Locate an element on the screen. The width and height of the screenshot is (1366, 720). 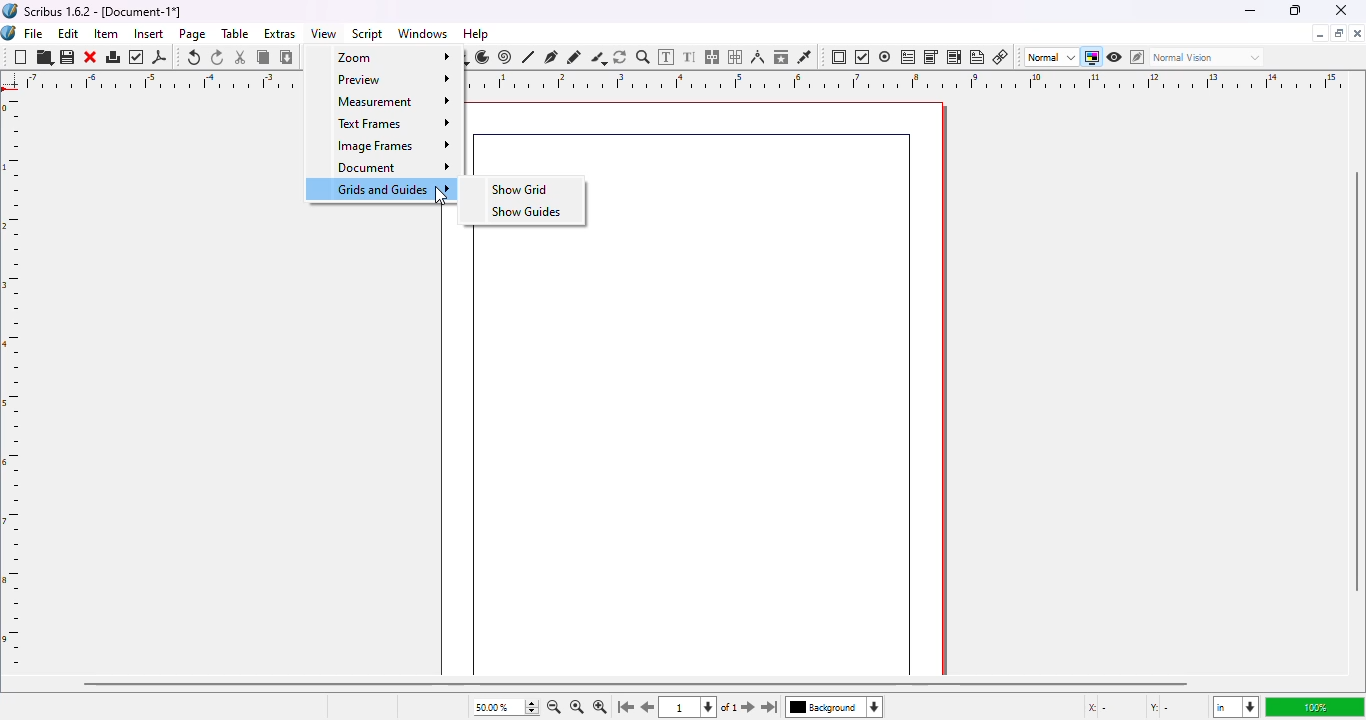
measurements is located at coordinates (758, 57).